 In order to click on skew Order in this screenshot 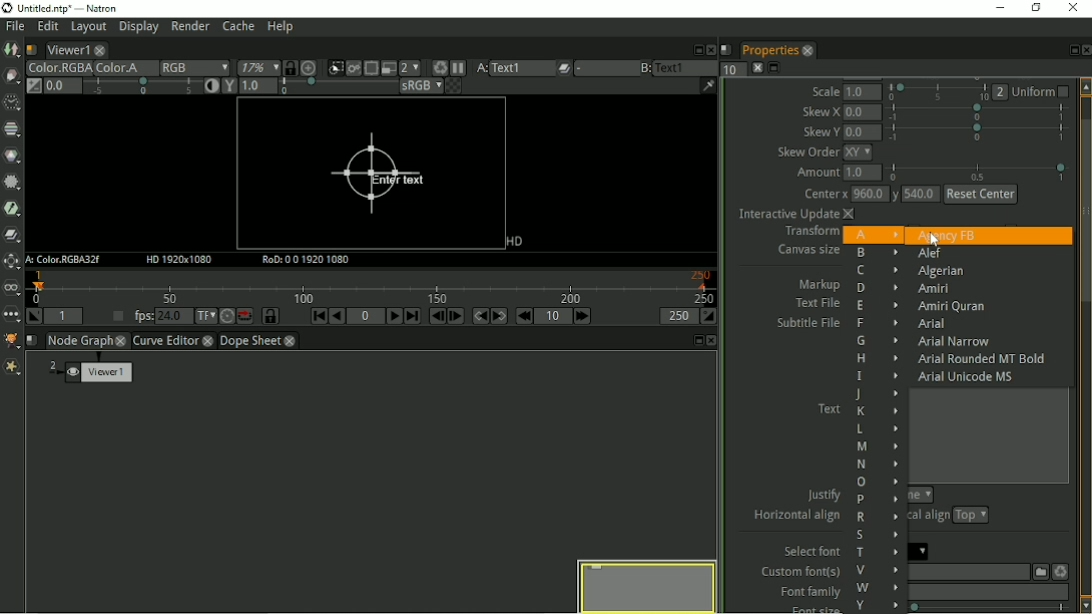, I will do `click(808, 153)`.